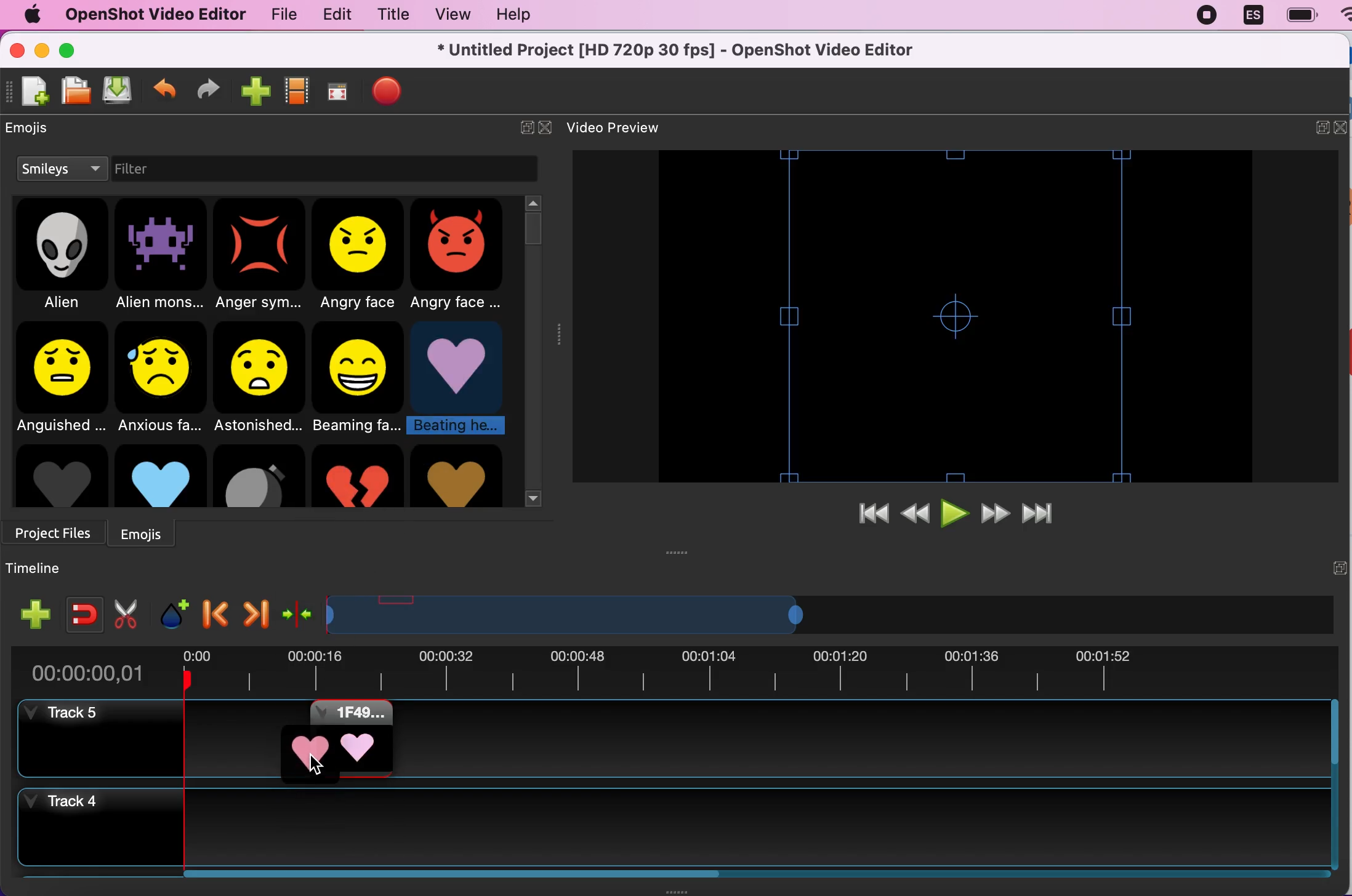 The image size is (1352, 896). Describe the element at coordinates (40, 569) in the screenshot. I see `timeline` at that location.